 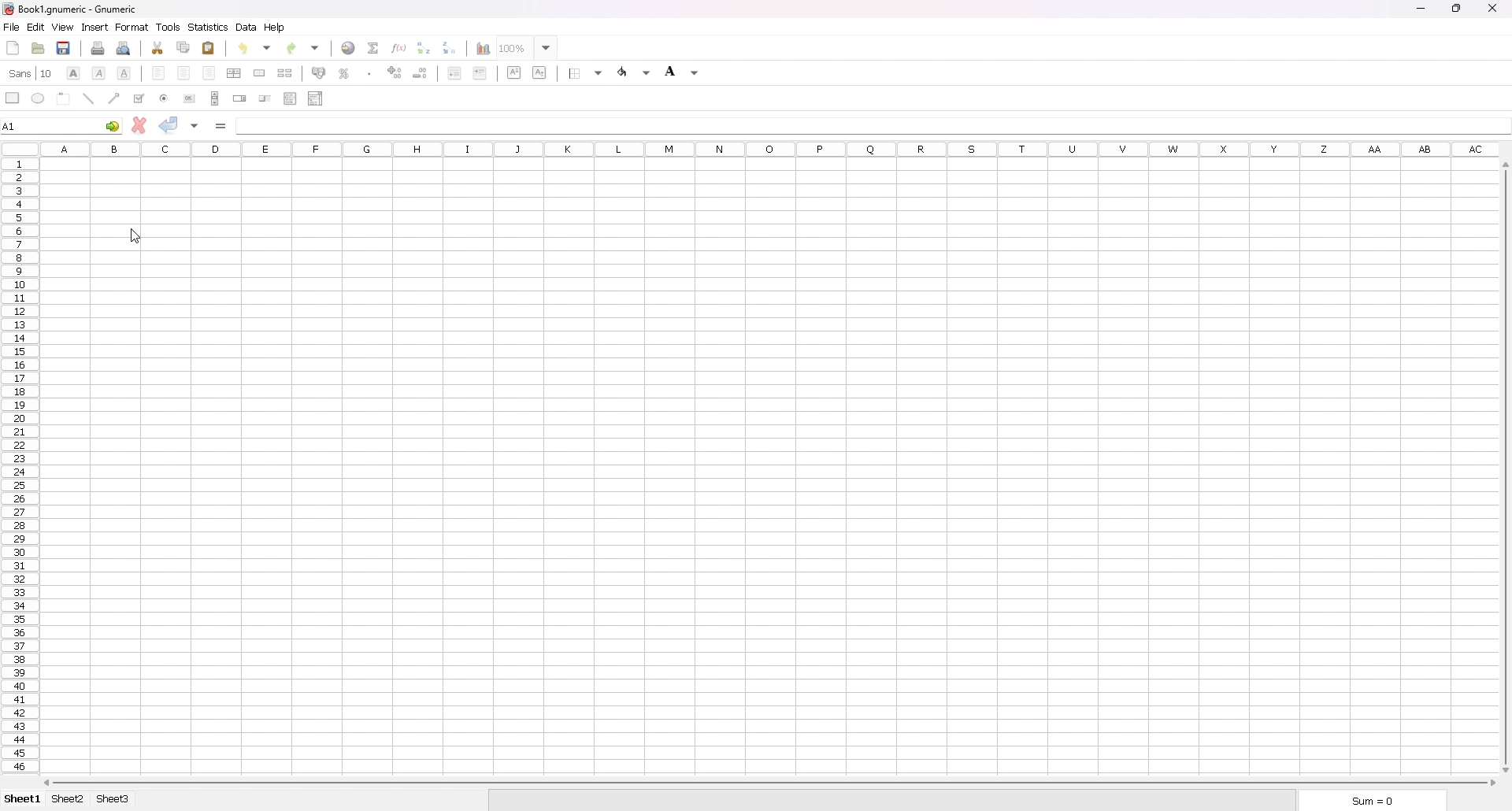 I want to click on font, so click(x=29, y=73).